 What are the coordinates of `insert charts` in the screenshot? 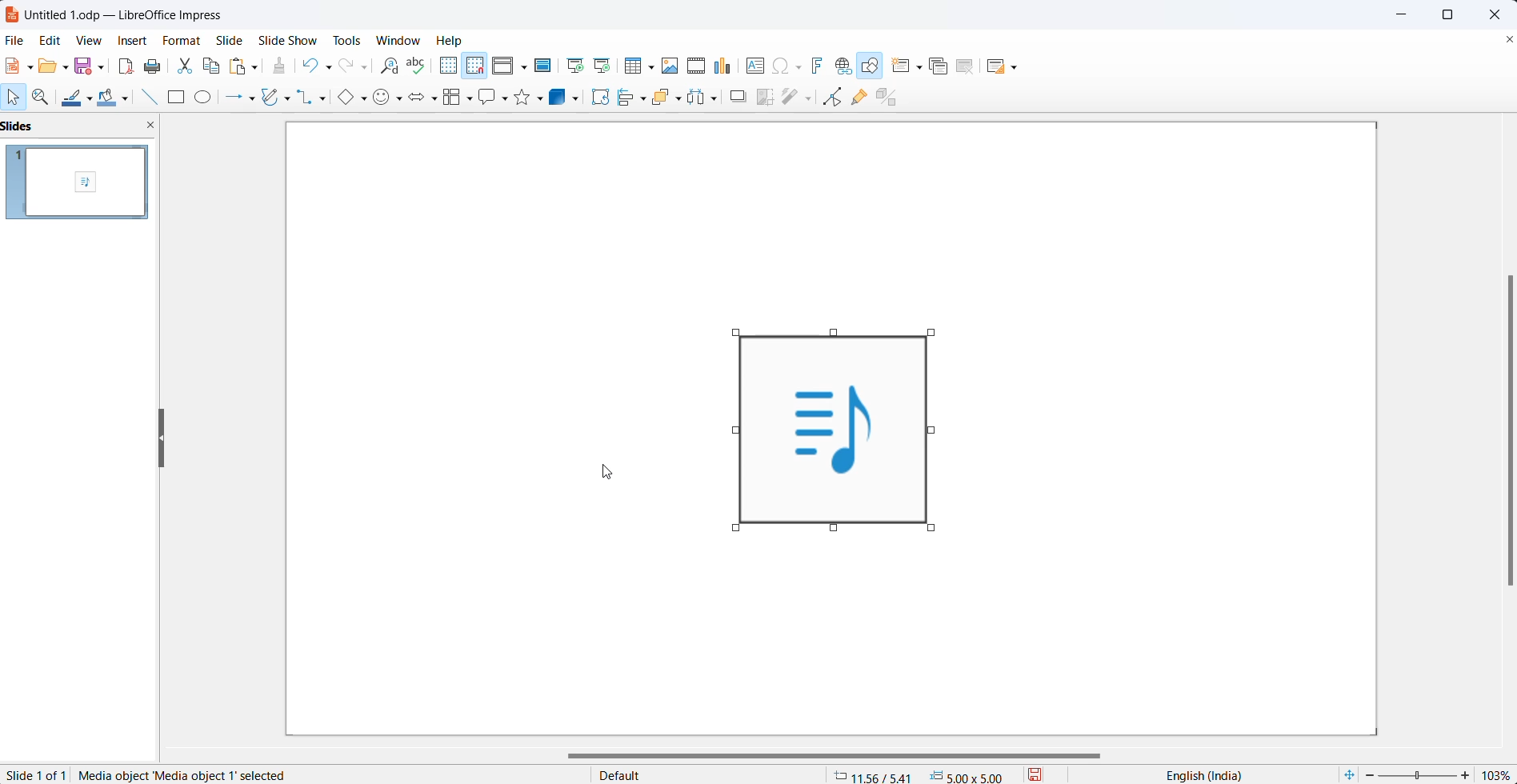 It's located at (726, 62).